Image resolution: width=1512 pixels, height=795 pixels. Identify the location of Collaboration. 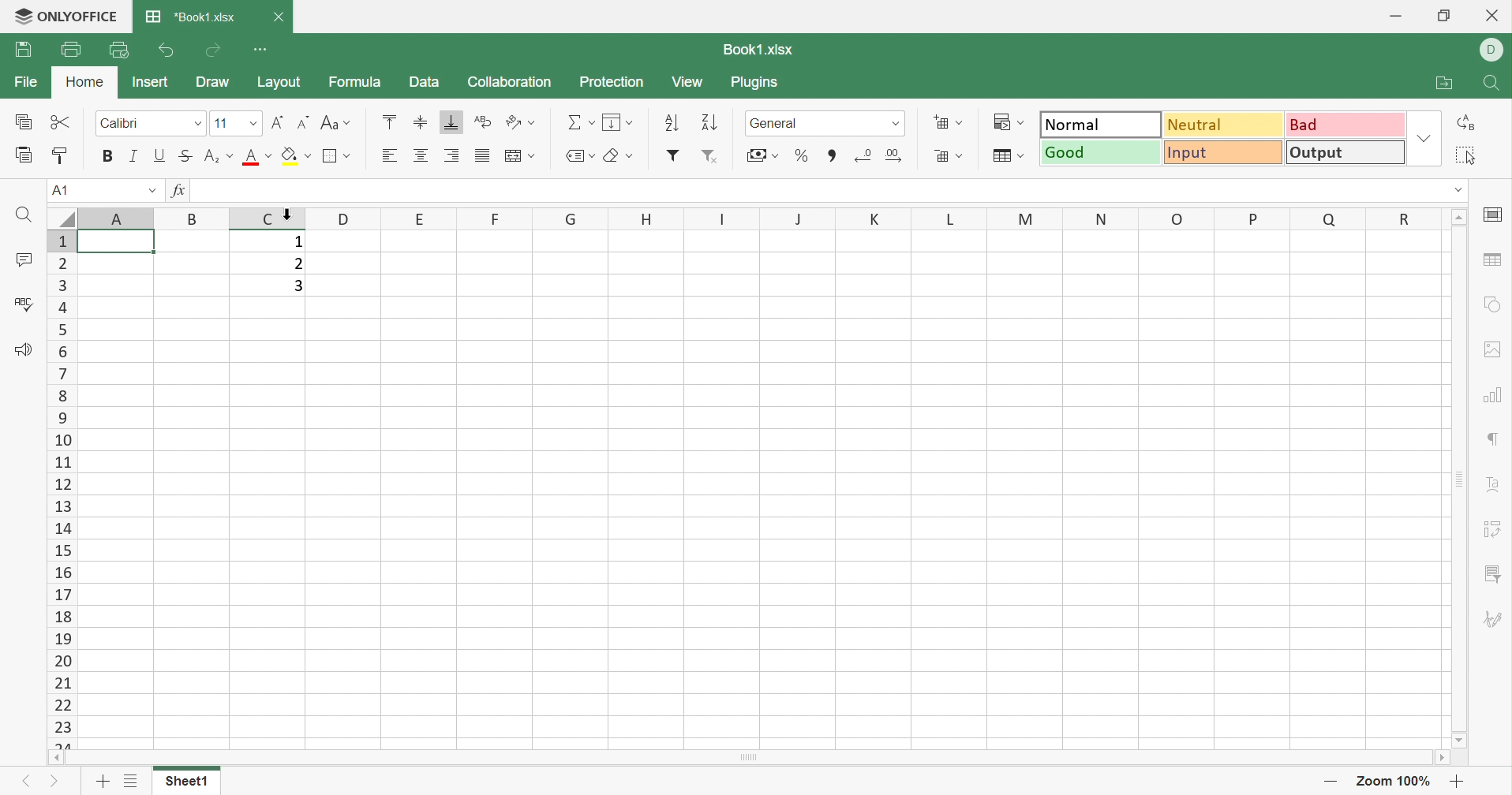
(510, 80).